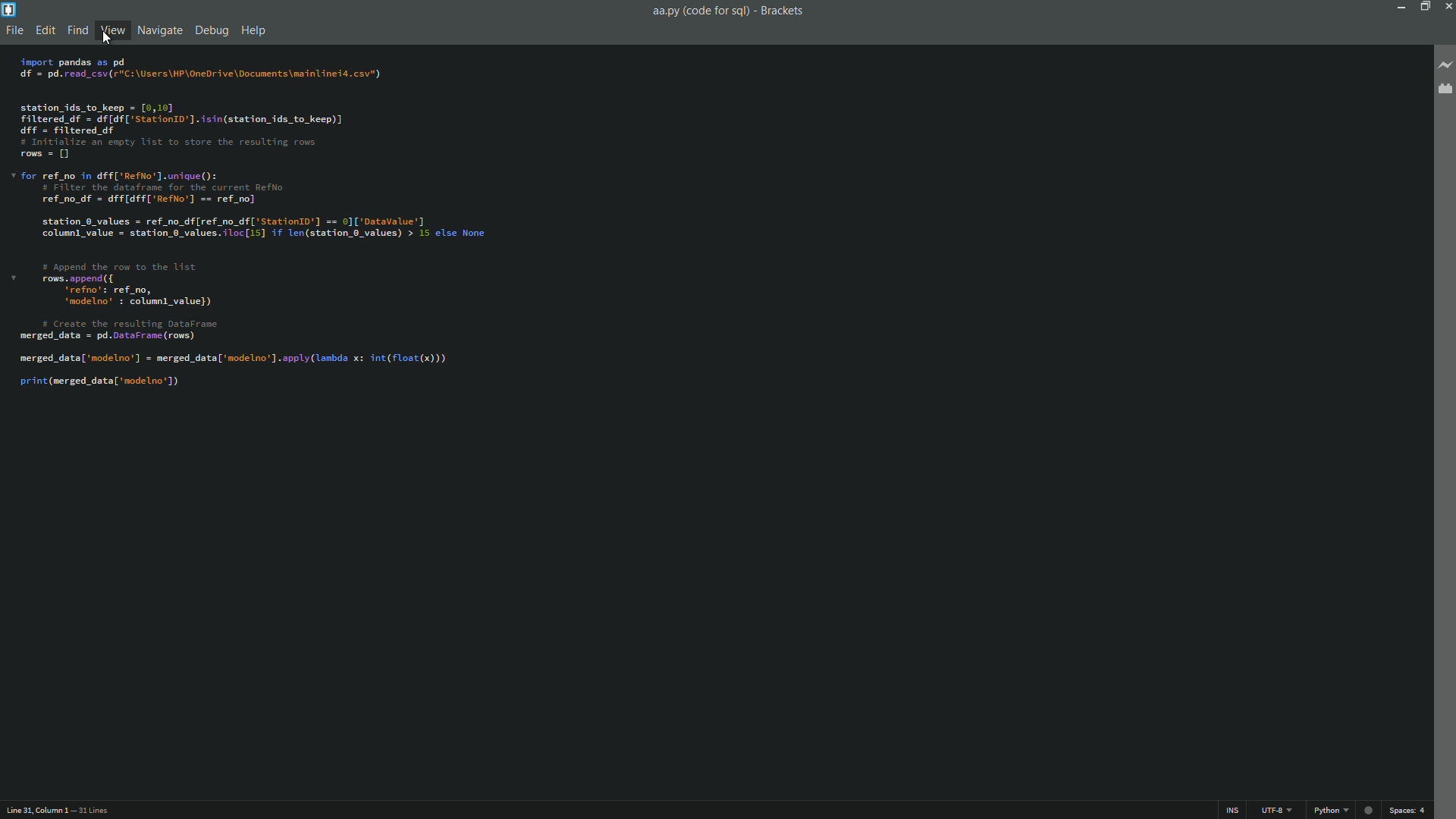 Image resolution: width=1456 pixels, height=819 pixels. I want to click on cursor position, so click(36, 810).